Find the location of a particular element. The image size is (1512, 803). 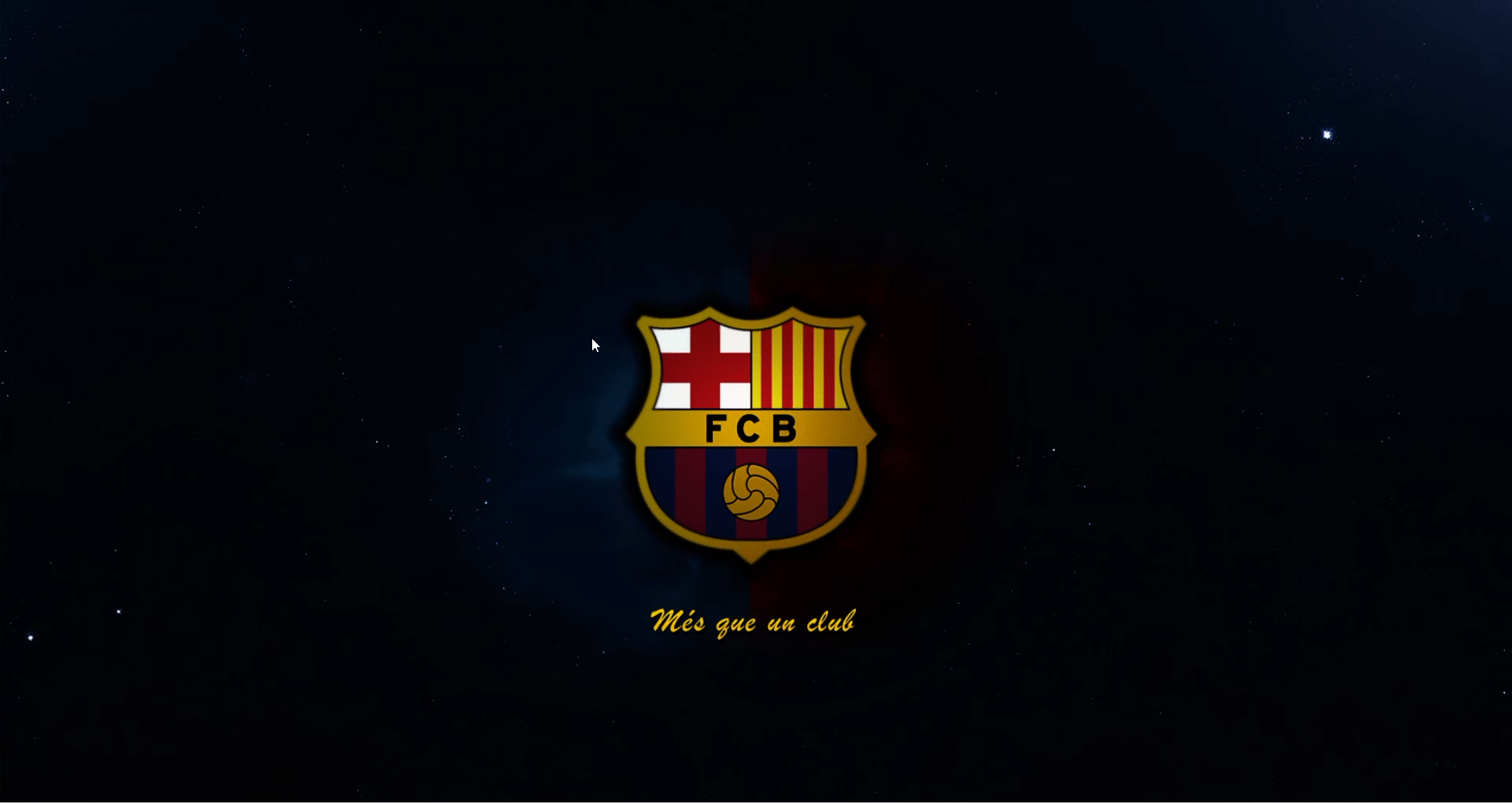

desktop is located at coordinates (757, 394).